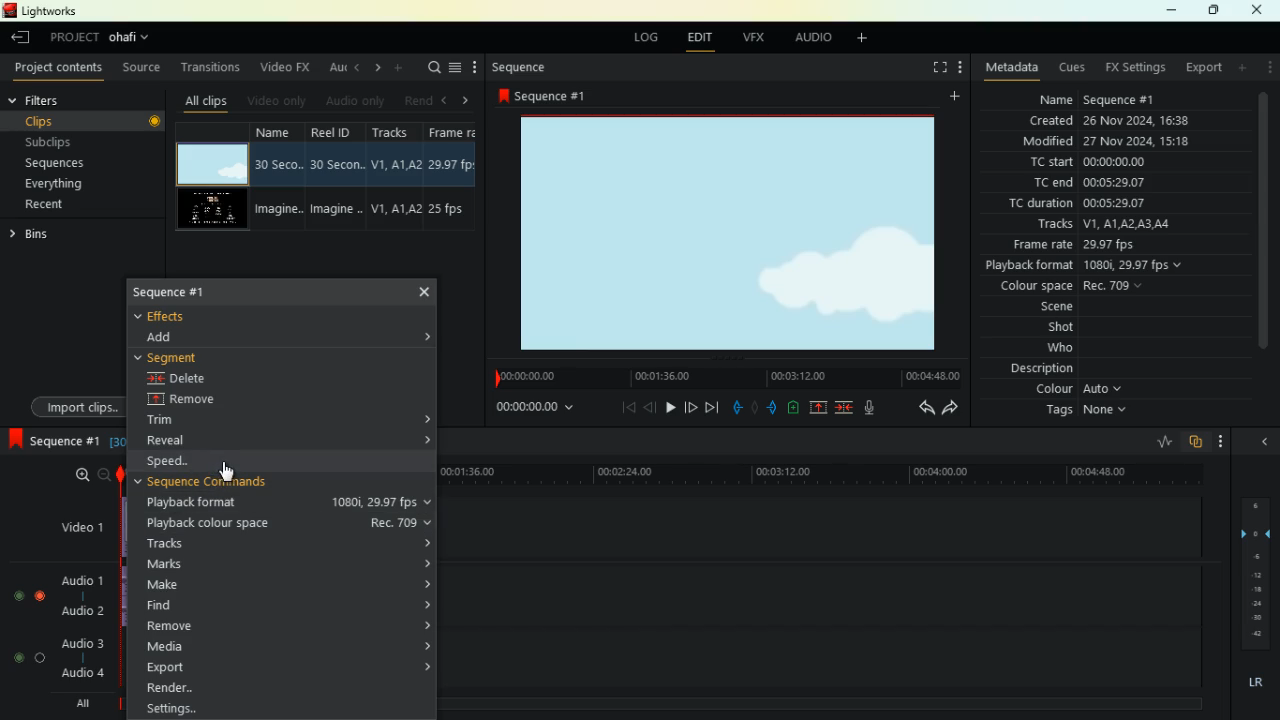 The width and height of the screenshot is (1280, 720). What do you see at coordinates (79, 401) in the screenshot?
I see `import clips` at bounding box center [79, 401].